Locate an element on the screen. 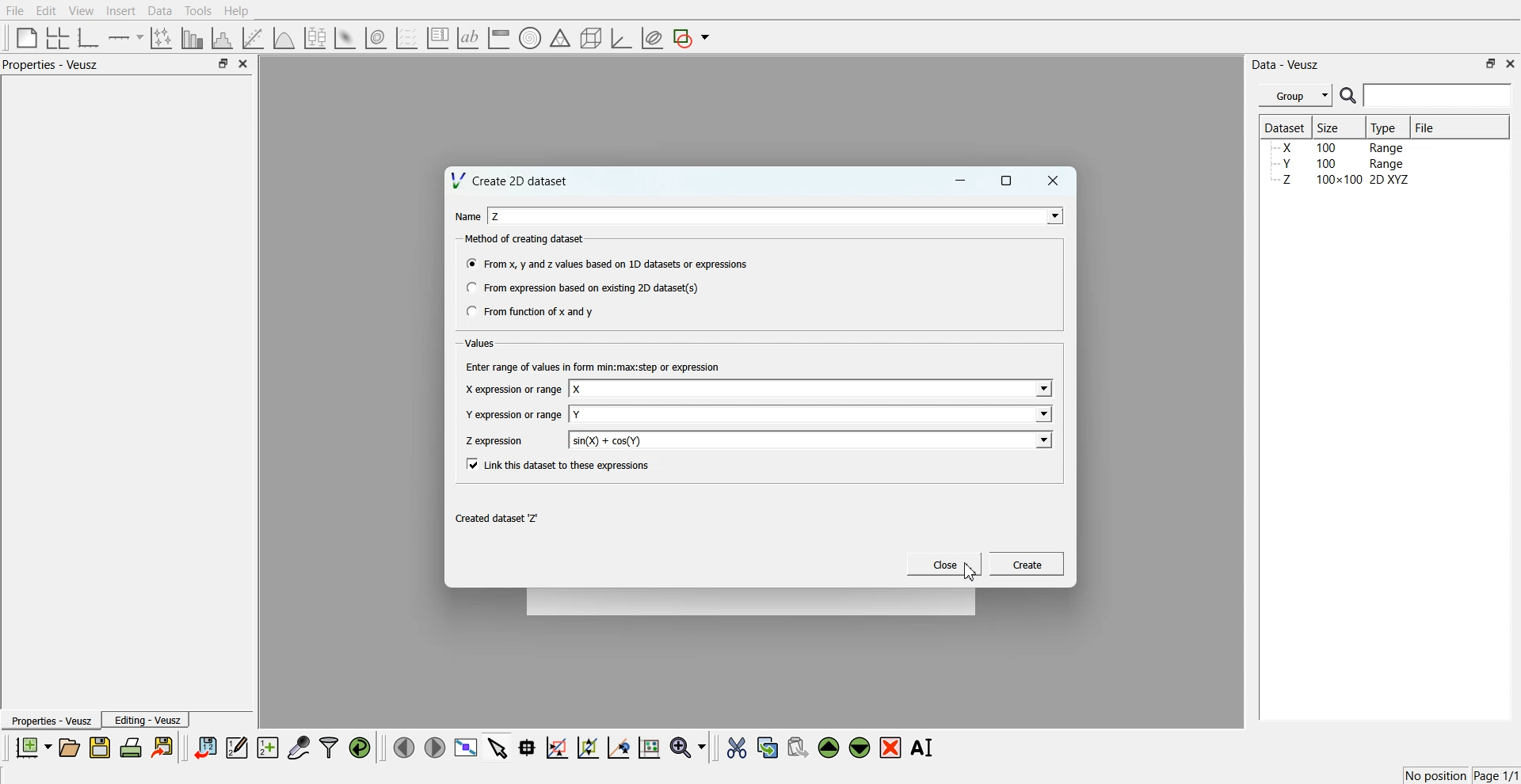  = NY expression or range is located at coordinates (514, 414).